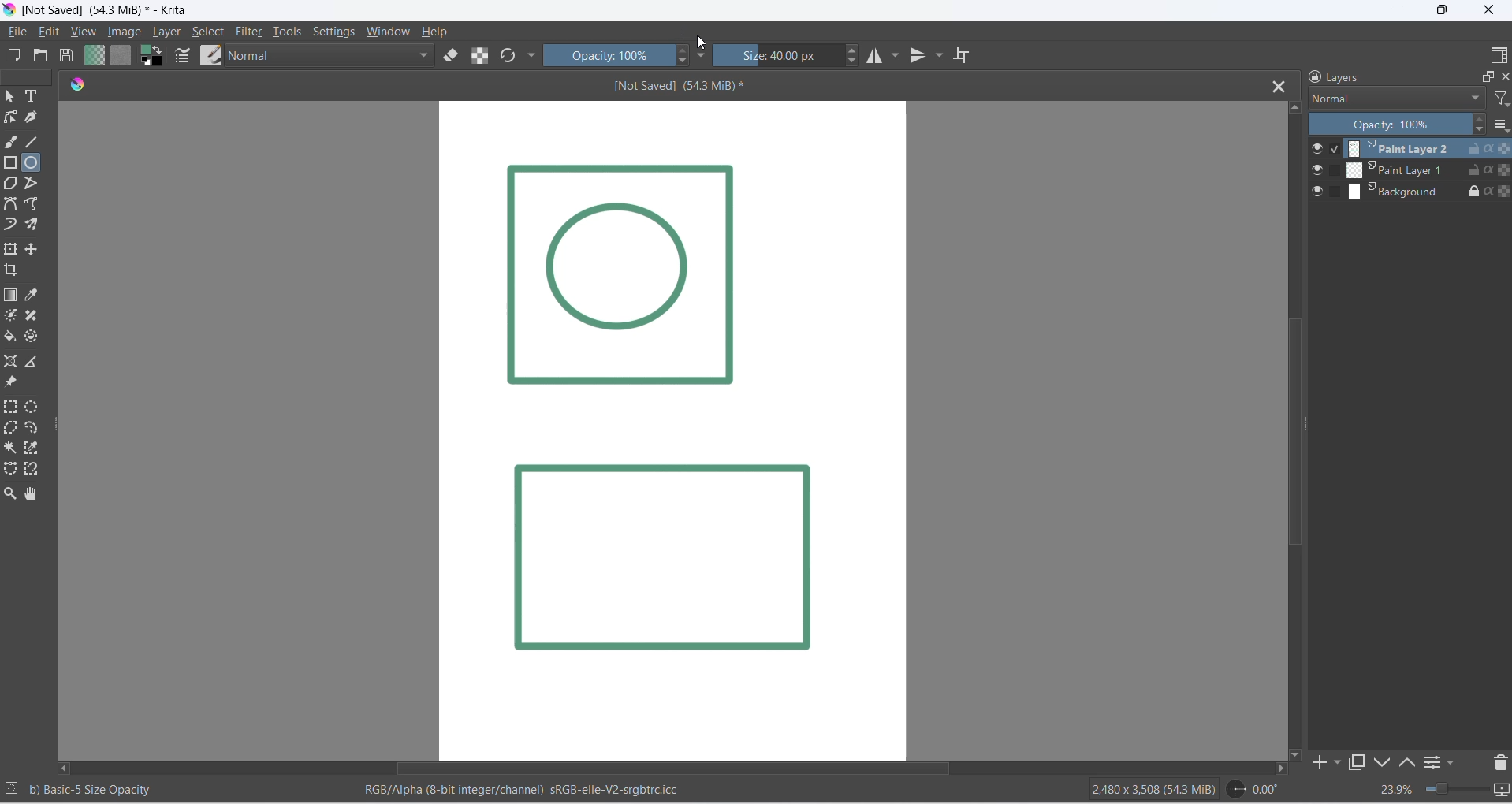 Image resolution: width=1512 pixels, height=804 pixels. What do you see at coordinates (1396, 791) in the screenshot?
I see `zoom percent` at bounding box center [1396, 791].